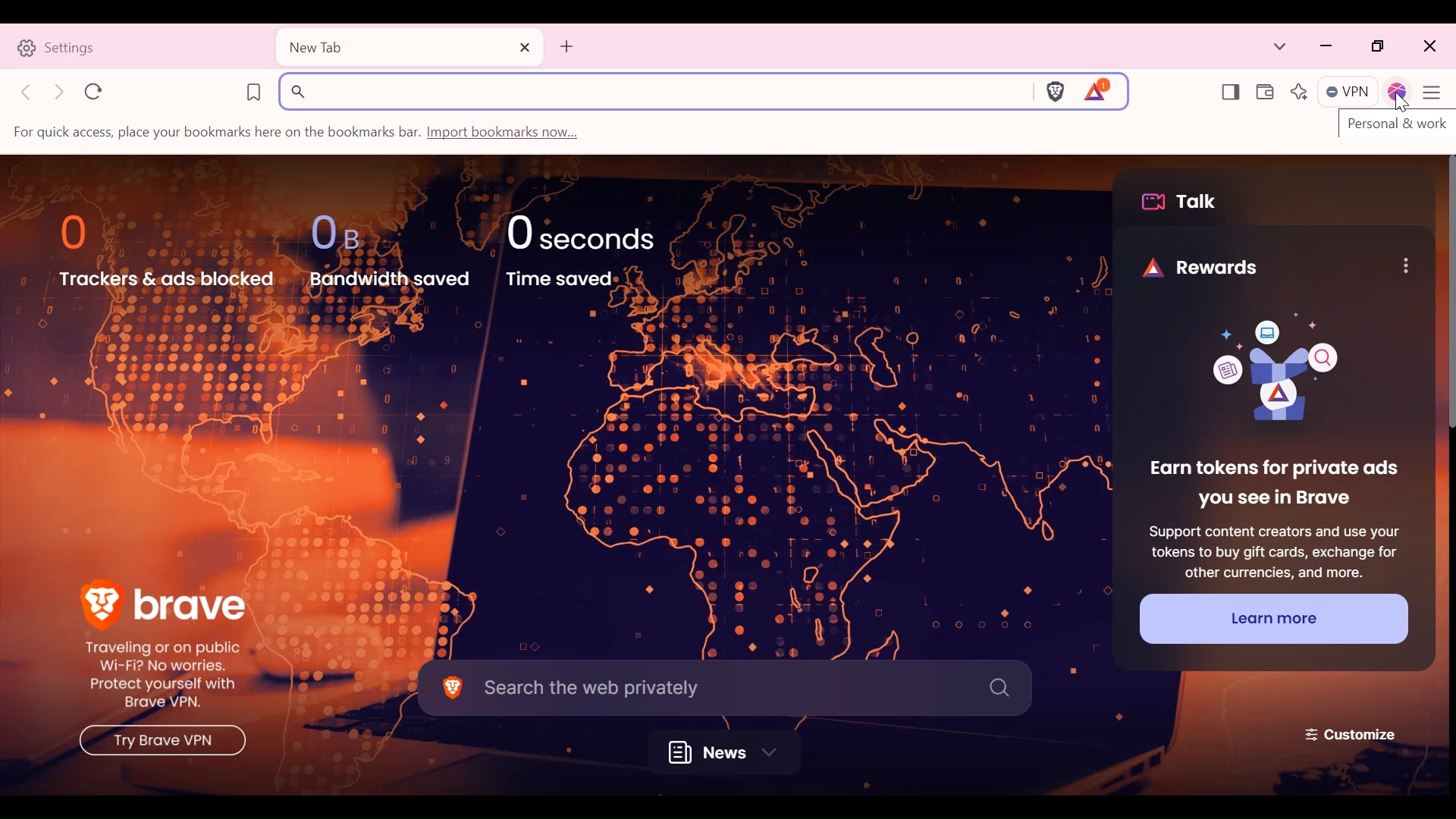  Describe the element at coordinates (299, 133) in the screenshot. I see `For quick access, place your bookmarks here on the bookmarks bar. Import bookmarks now` at that location.